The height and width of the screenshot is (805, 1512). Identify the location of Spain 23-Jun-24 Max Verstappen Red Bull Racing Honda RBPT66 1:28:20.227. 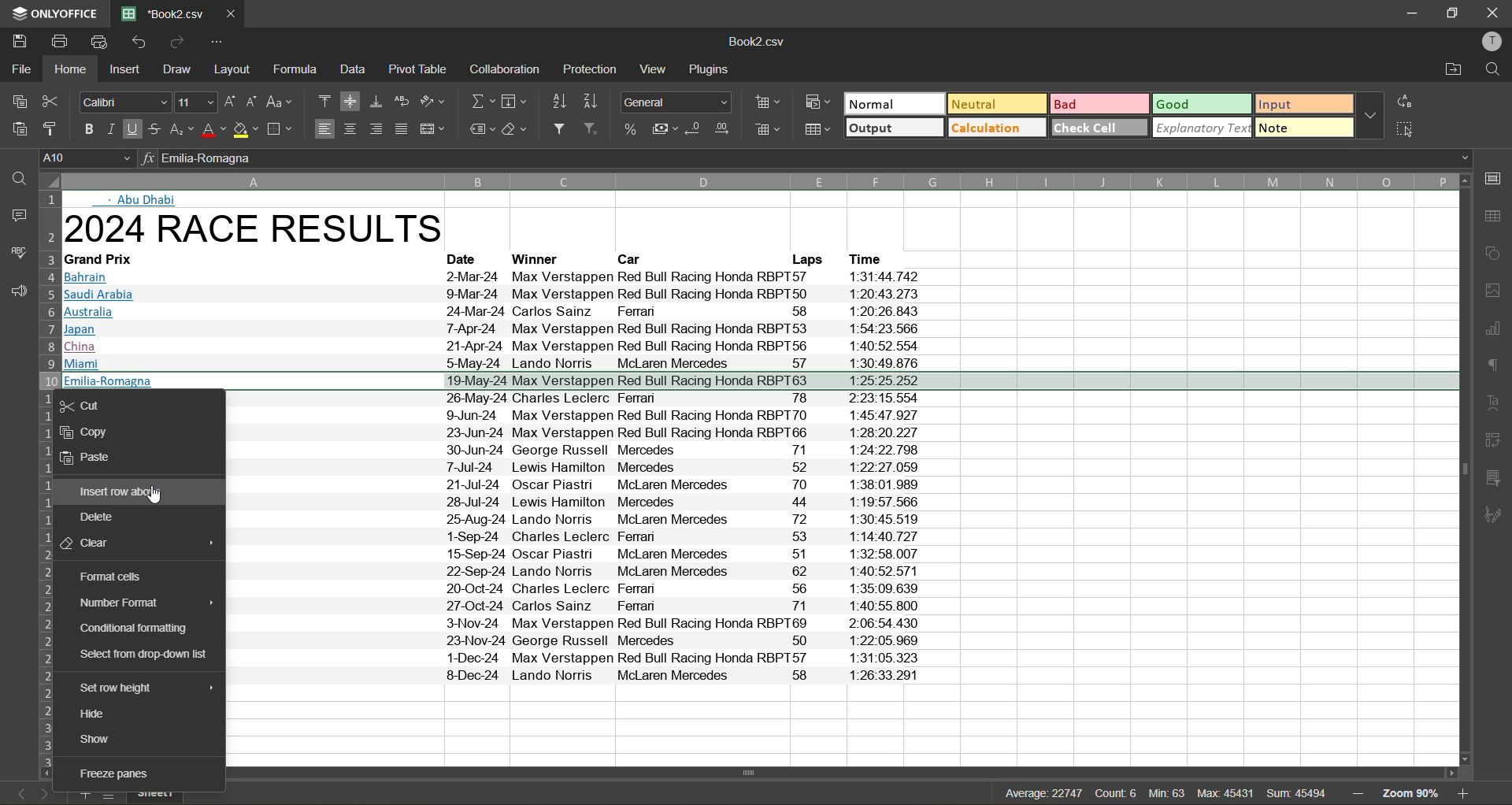
(576, 433).